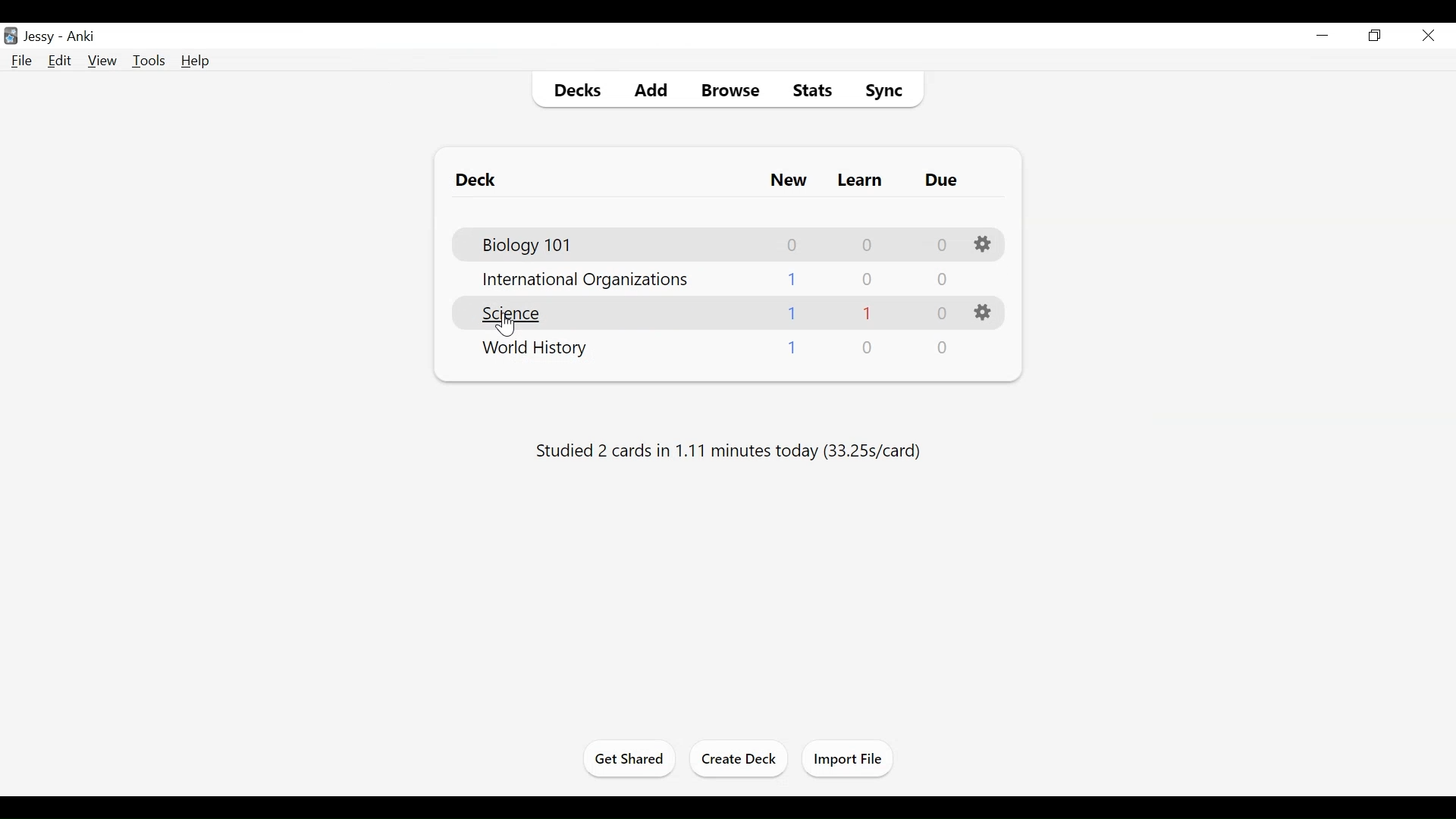 The width and height of the screenshot is (1456, 819). I want to click on Deck Name, so click(588, 282).